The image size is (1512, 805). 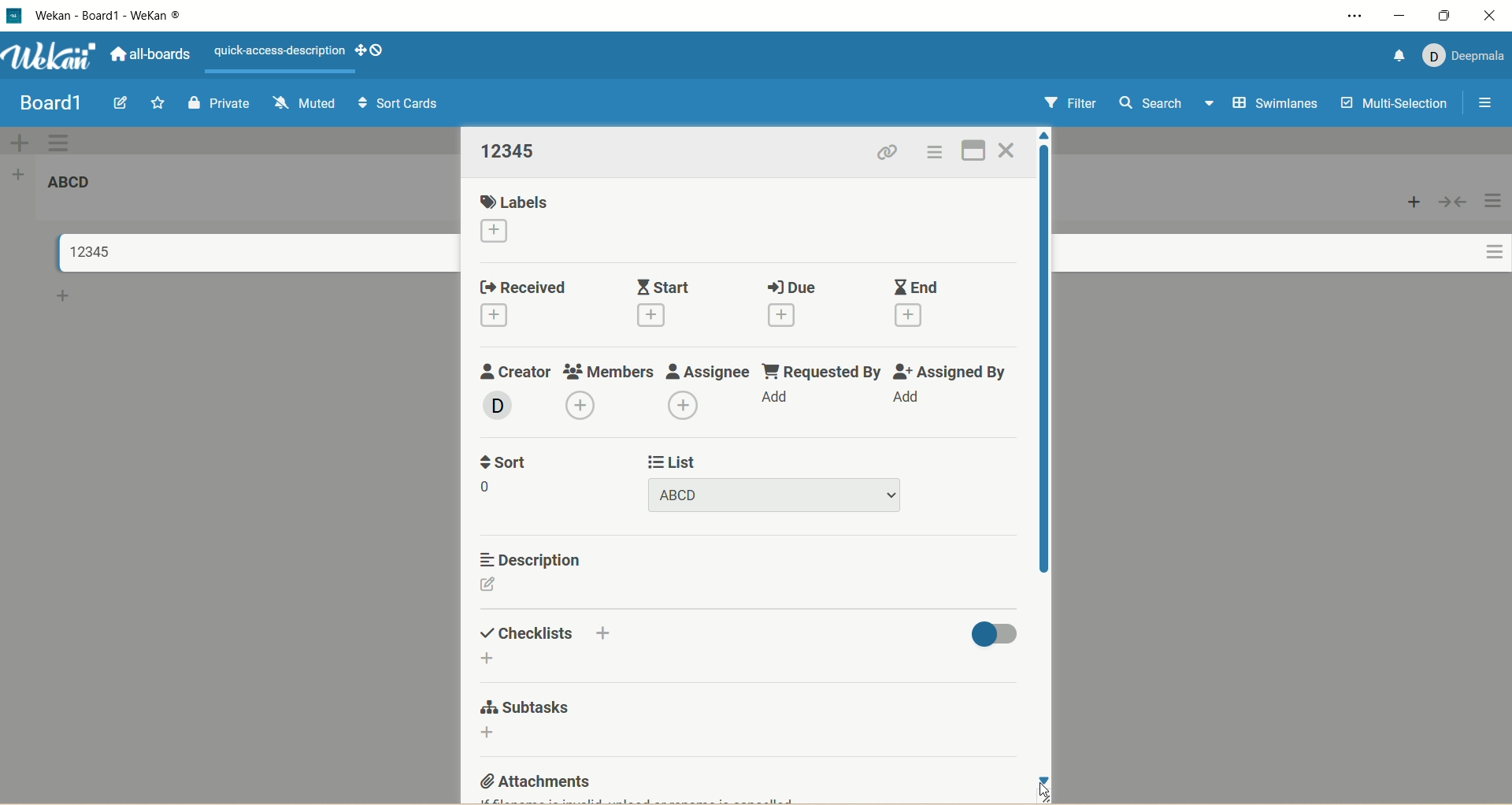 What do you see at coordinates (489, 658) in the screenshot?
I see `add` at bounding box center [489, 658].